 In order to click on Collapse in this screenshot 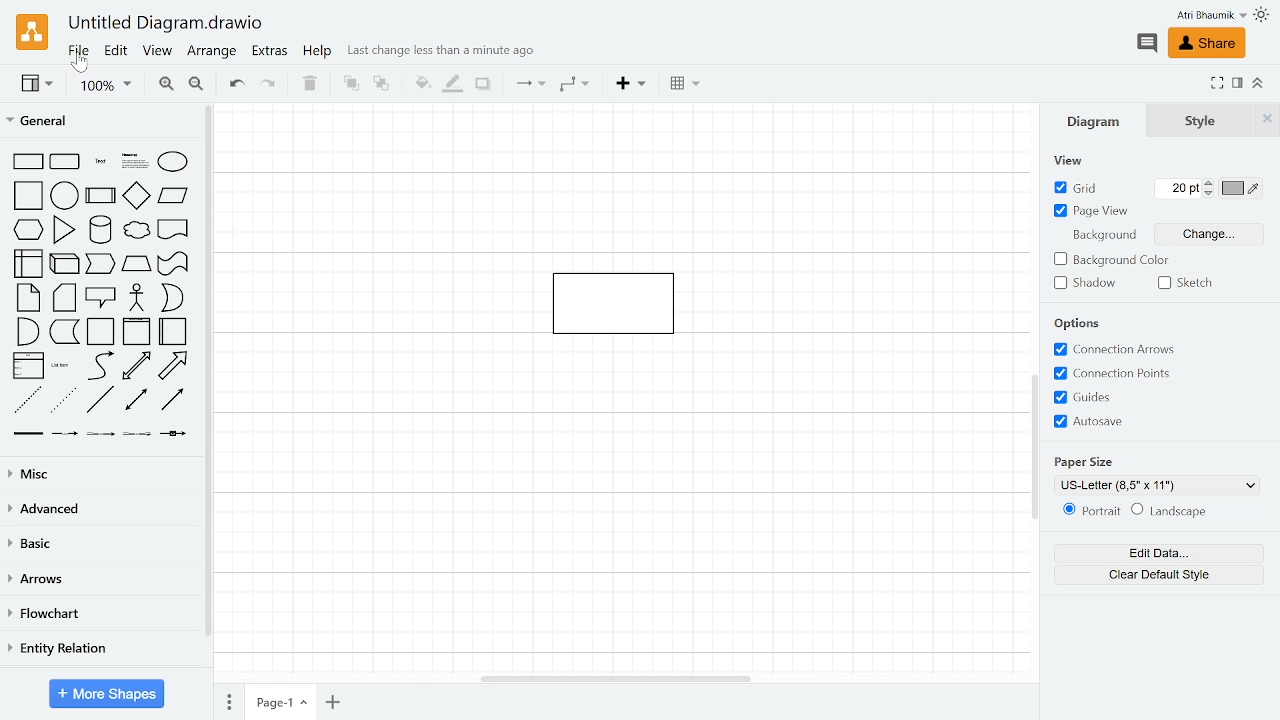, I will do `click(1258, 84)`.